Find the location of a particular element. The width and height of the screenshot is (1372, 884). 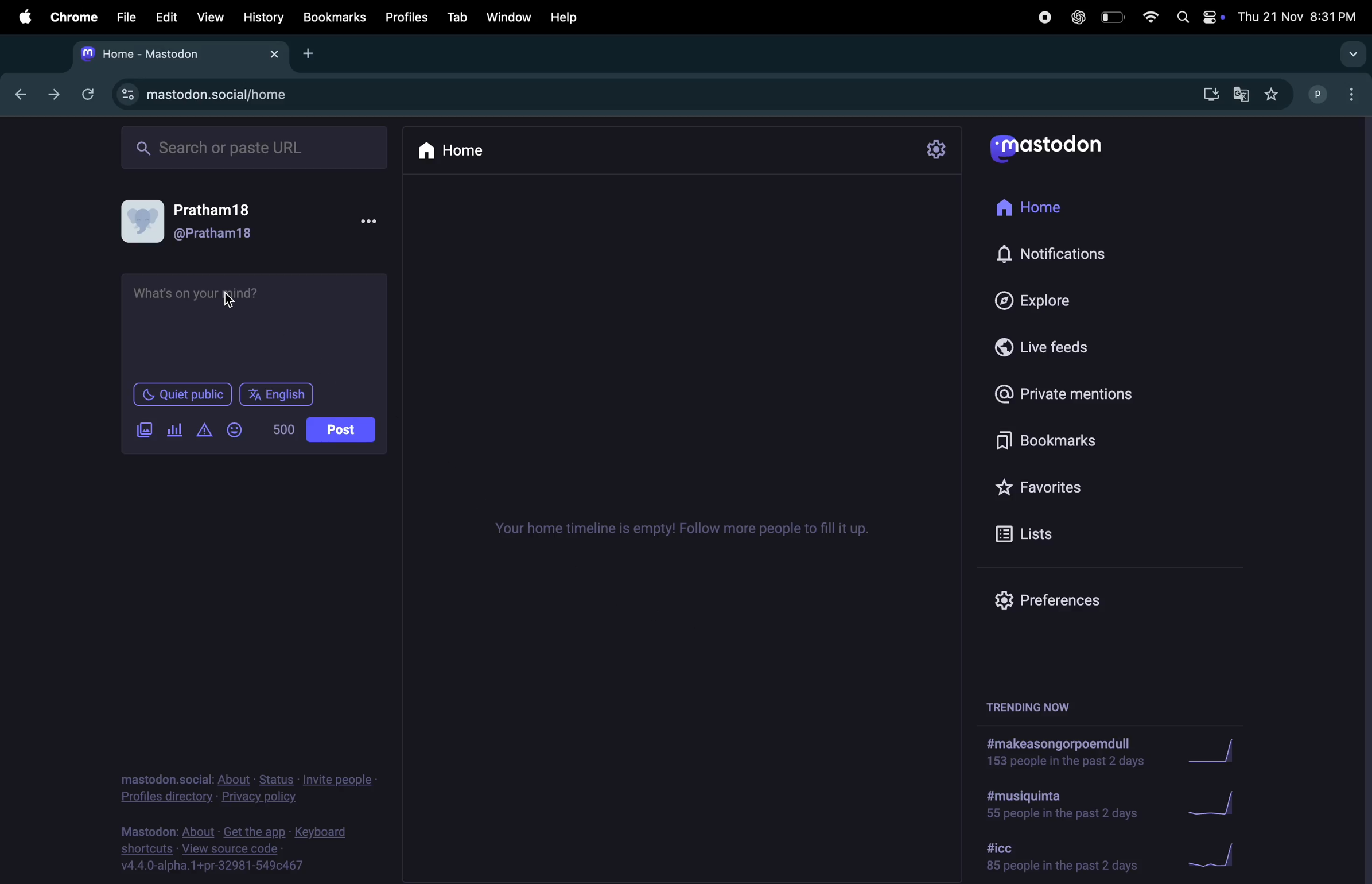

window is located at coordinates (508, 17).